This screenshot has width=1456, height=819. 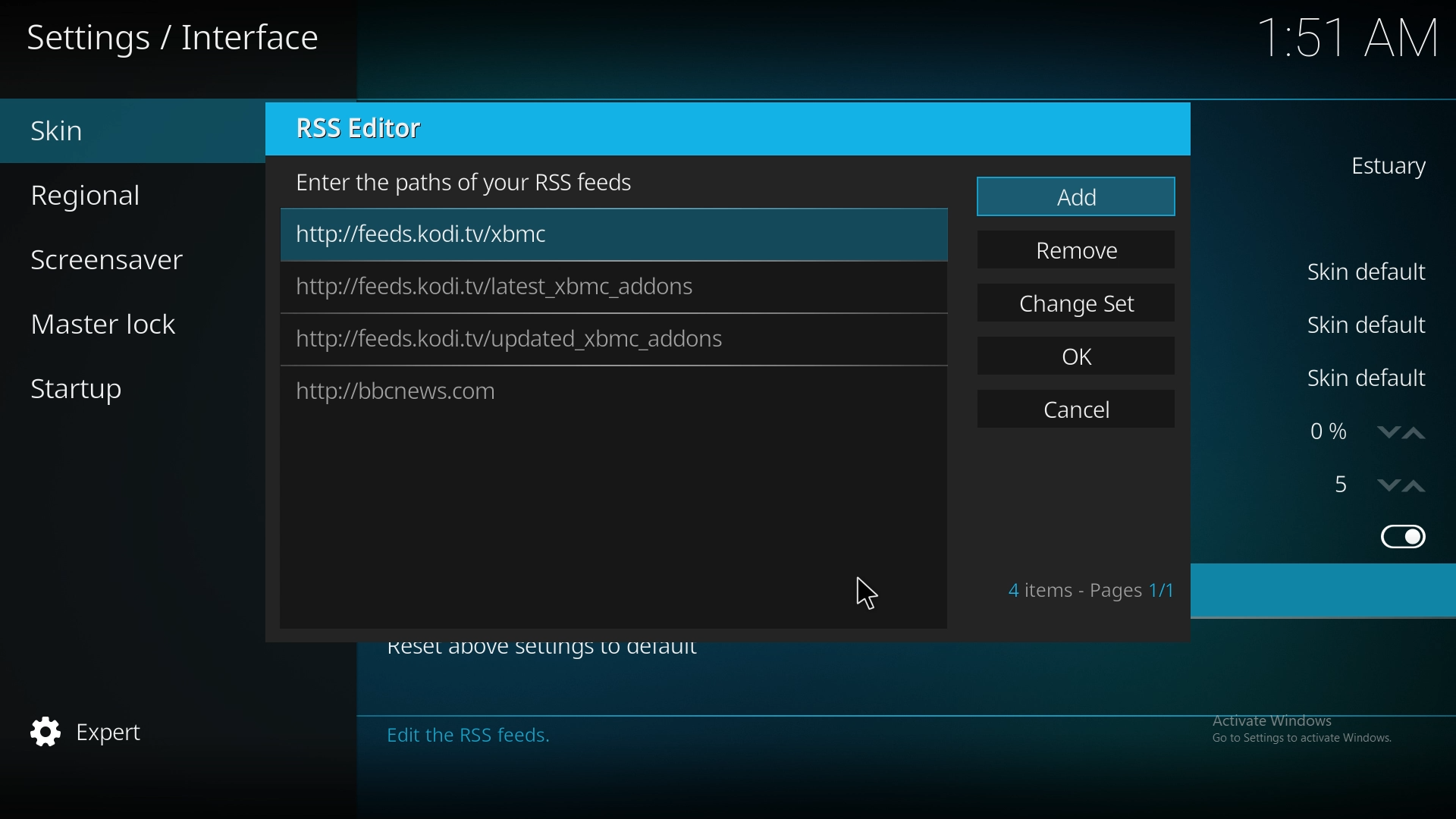 What do you see at coordinates (497, 288) in the screenshot?
I see `path` at bounding box center [497, 288].